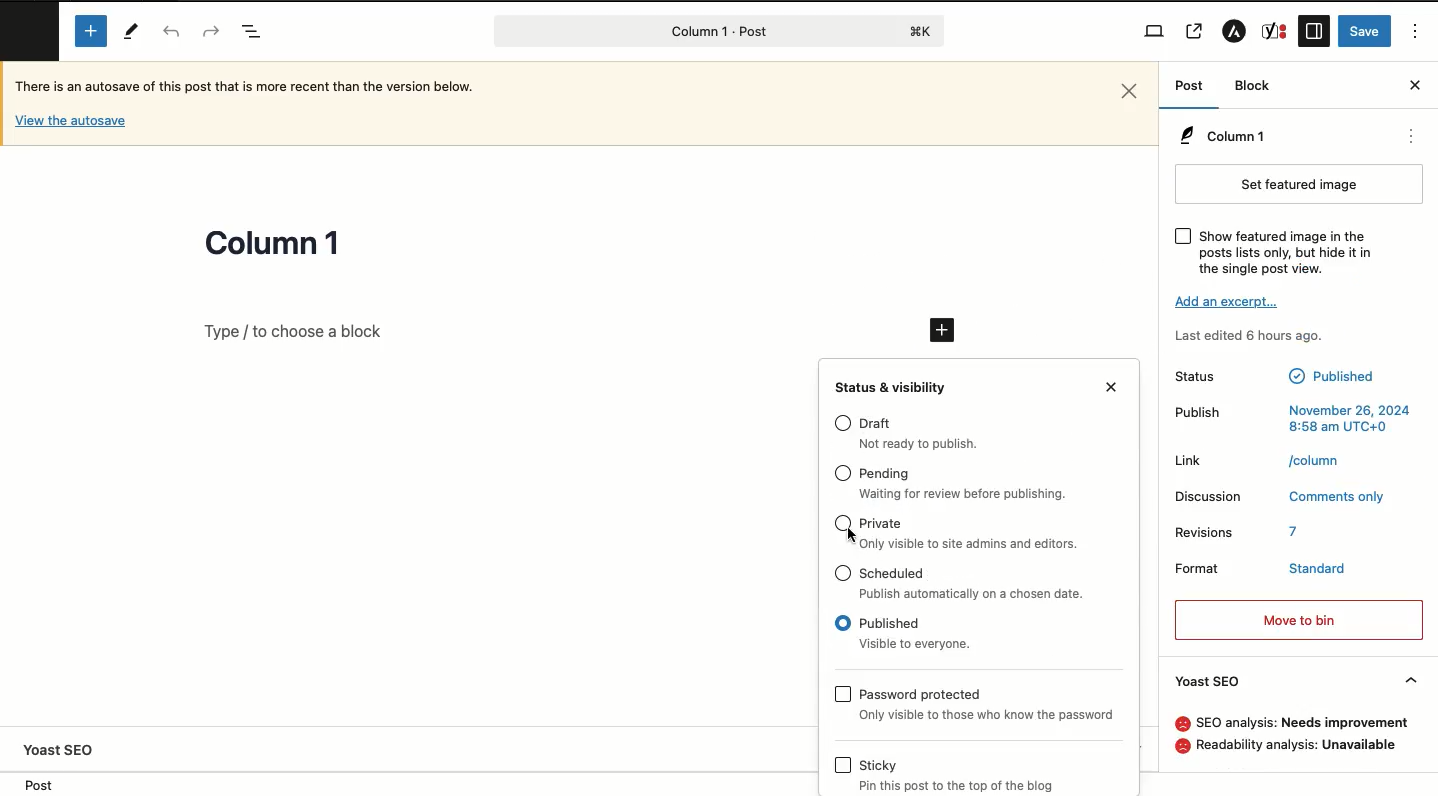 The image size is (1438, 796). I want to click on show featured image, so click(1287, 253).